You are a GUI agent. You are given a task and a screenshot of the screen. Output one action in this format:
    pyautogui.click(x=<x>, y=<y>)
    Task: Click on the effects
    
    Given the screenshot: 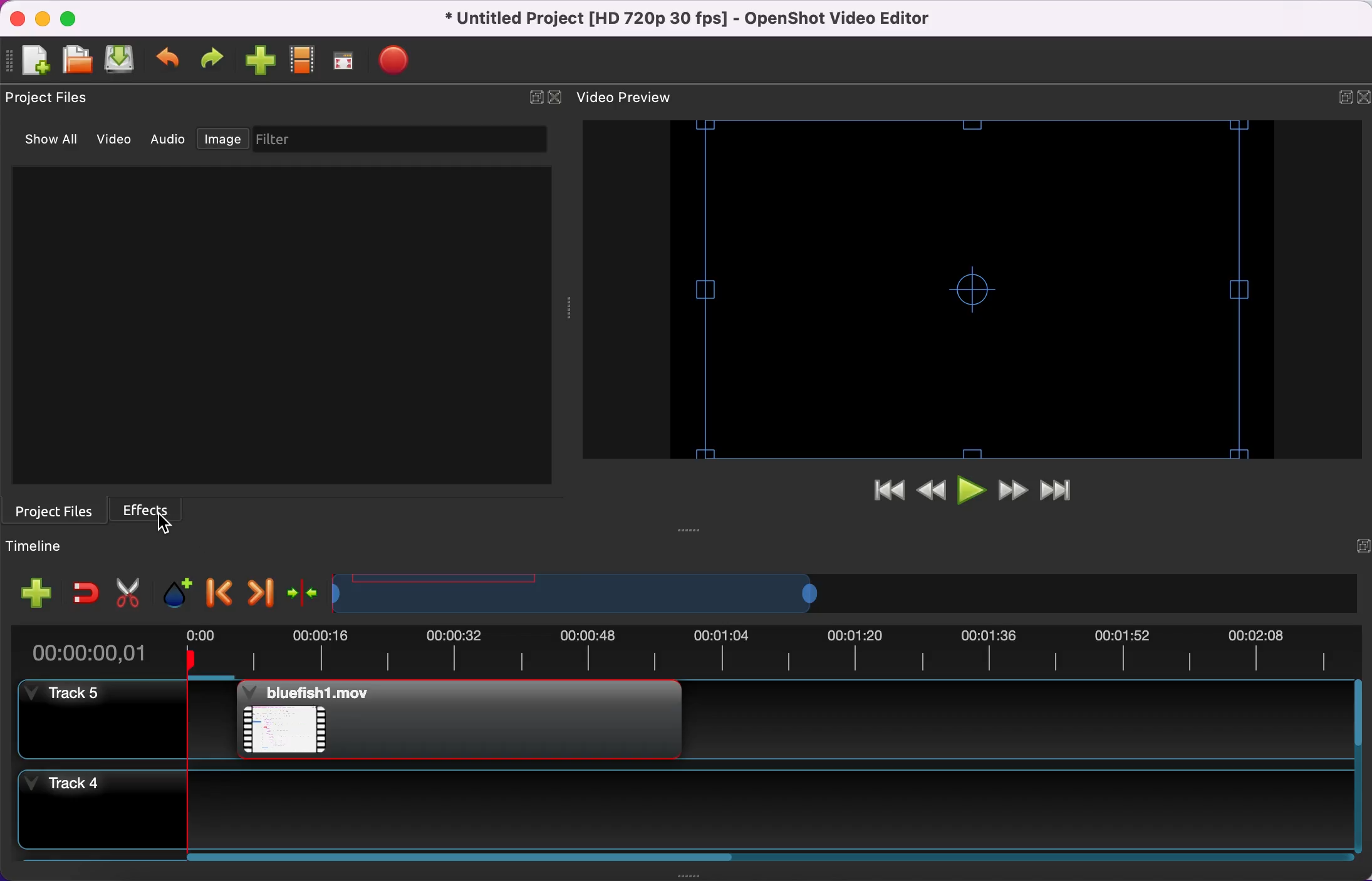 What is the action you would take?
    pyautogui.click(x=158, y=511)
    